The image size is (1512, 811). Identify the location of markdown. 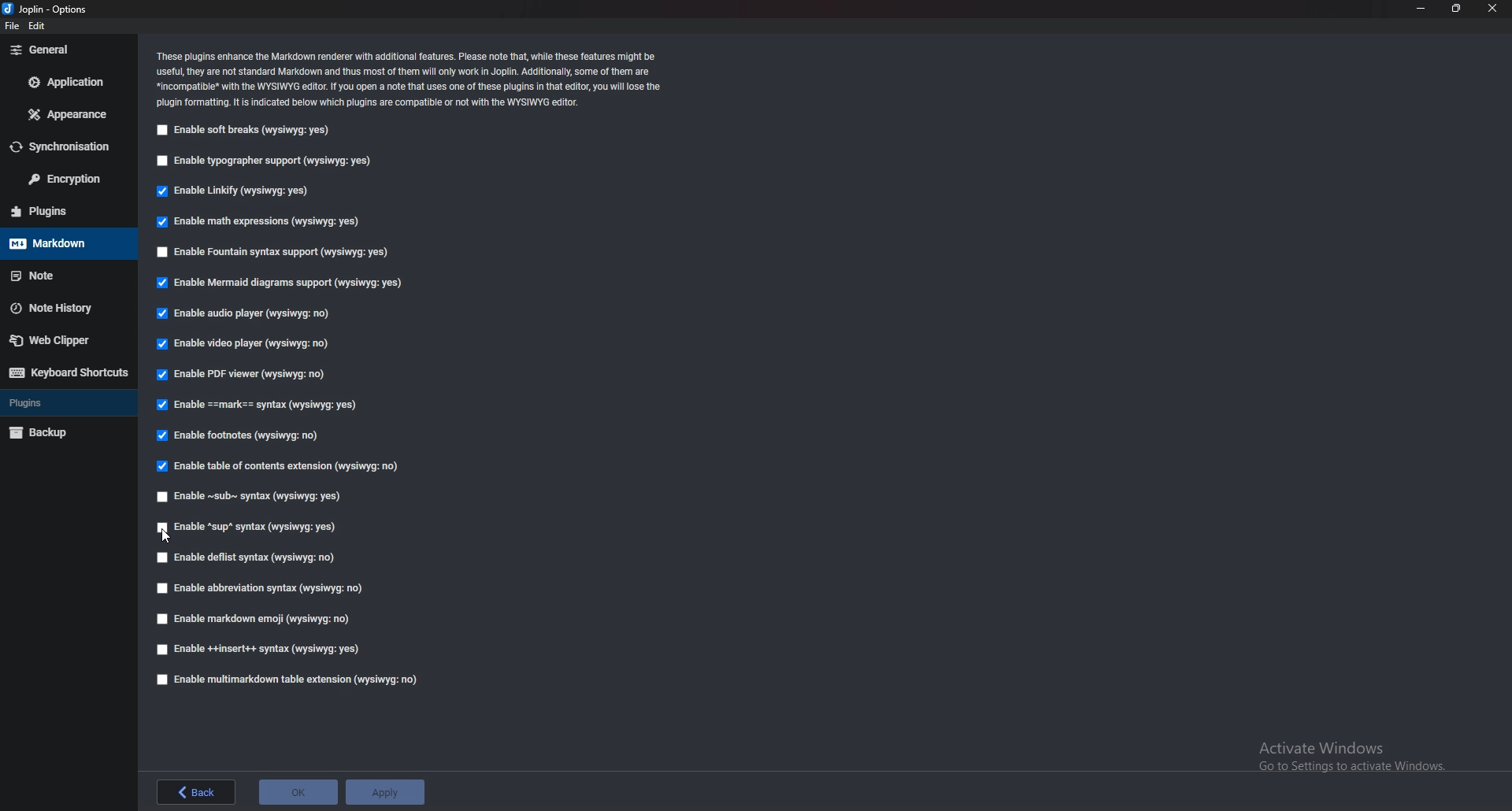
(69, 243).